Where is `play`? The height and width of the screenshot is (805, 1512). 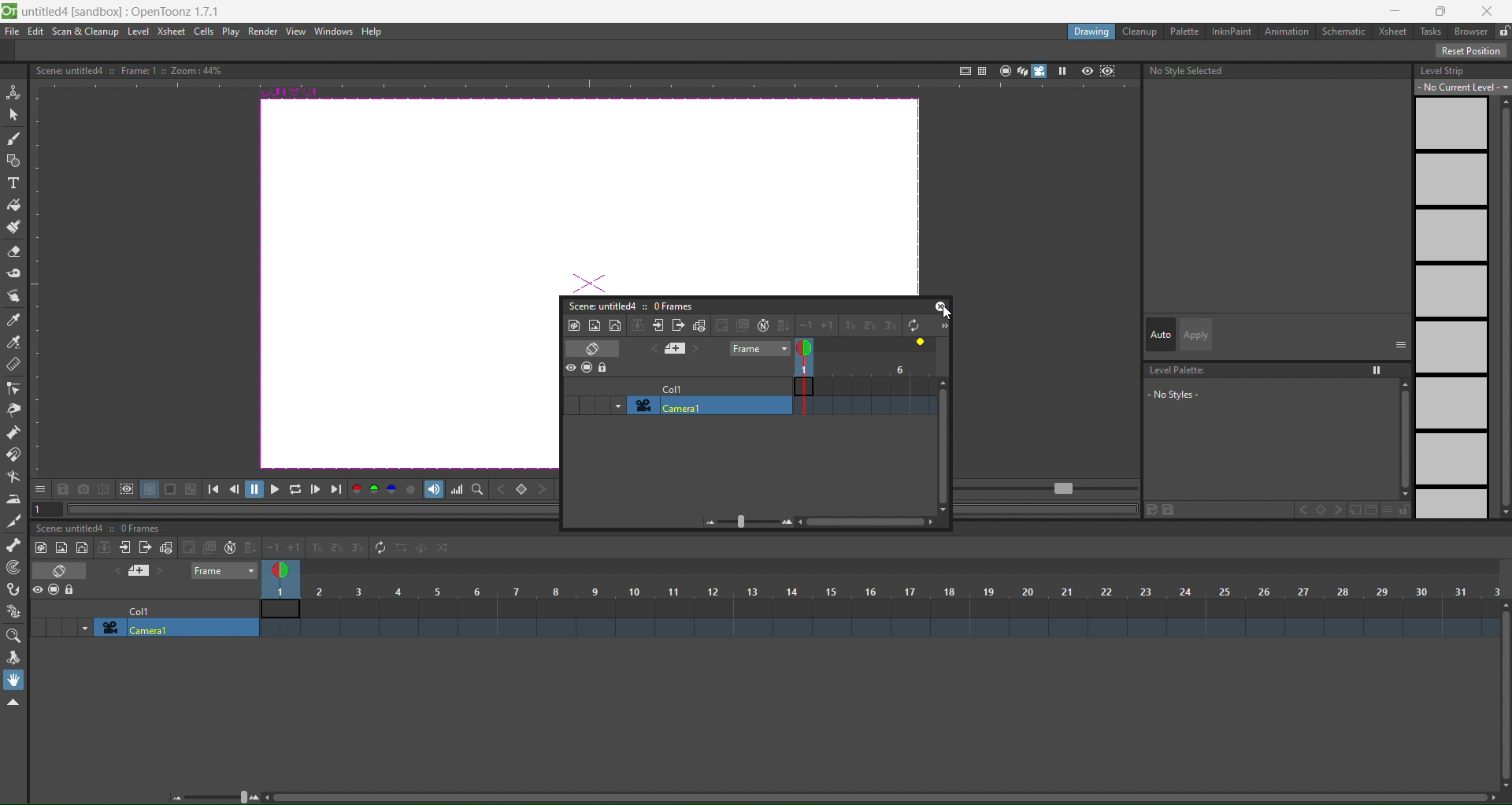 play is located at coordinates (231, 32).